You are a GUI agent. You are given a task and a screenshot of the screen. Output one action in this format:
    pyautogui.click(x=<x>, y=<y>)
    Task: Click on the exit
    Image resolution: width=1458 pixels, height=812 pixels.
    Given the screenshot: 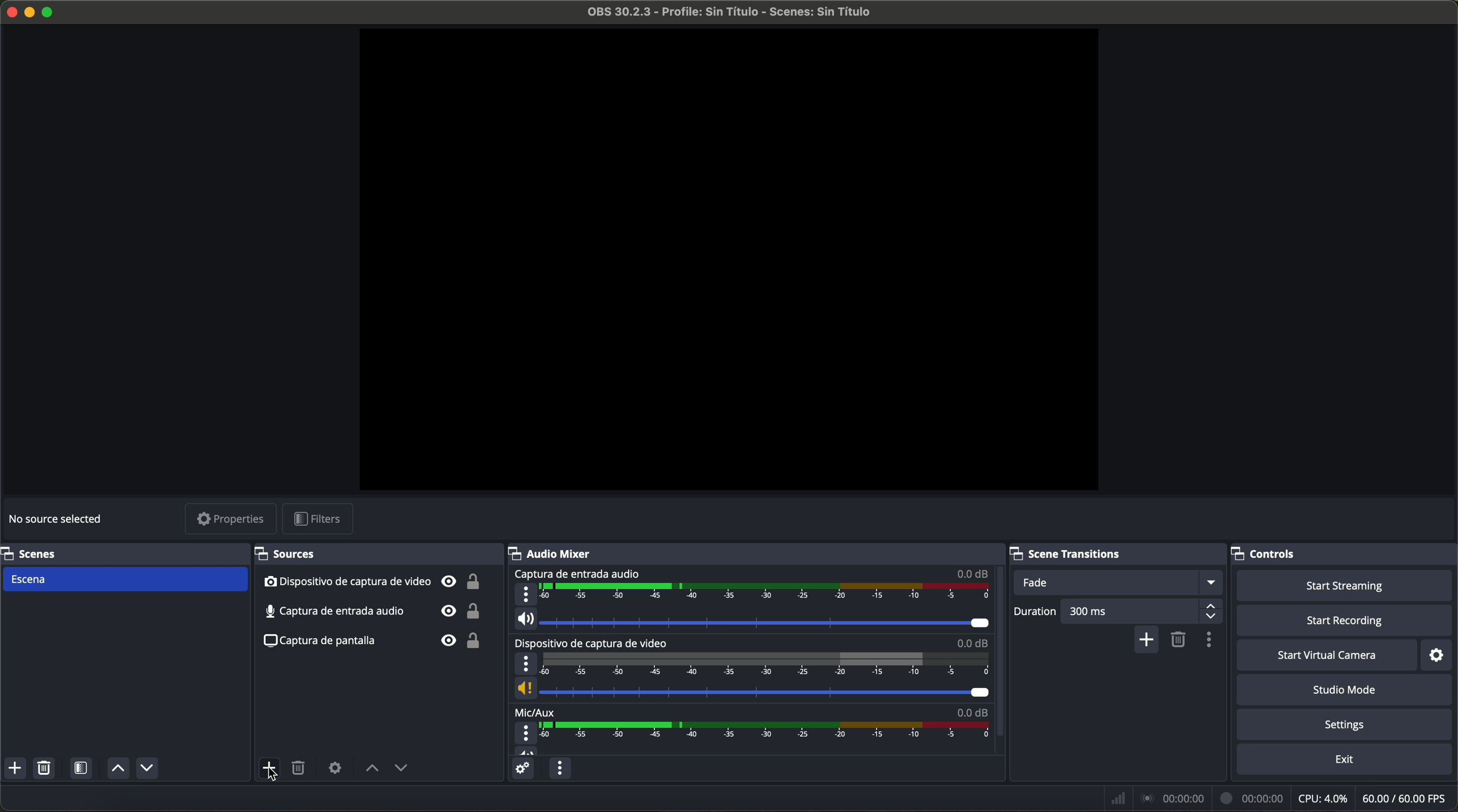 What is the action you would take?
    pyautogui.click(x=1346, y=761)
    